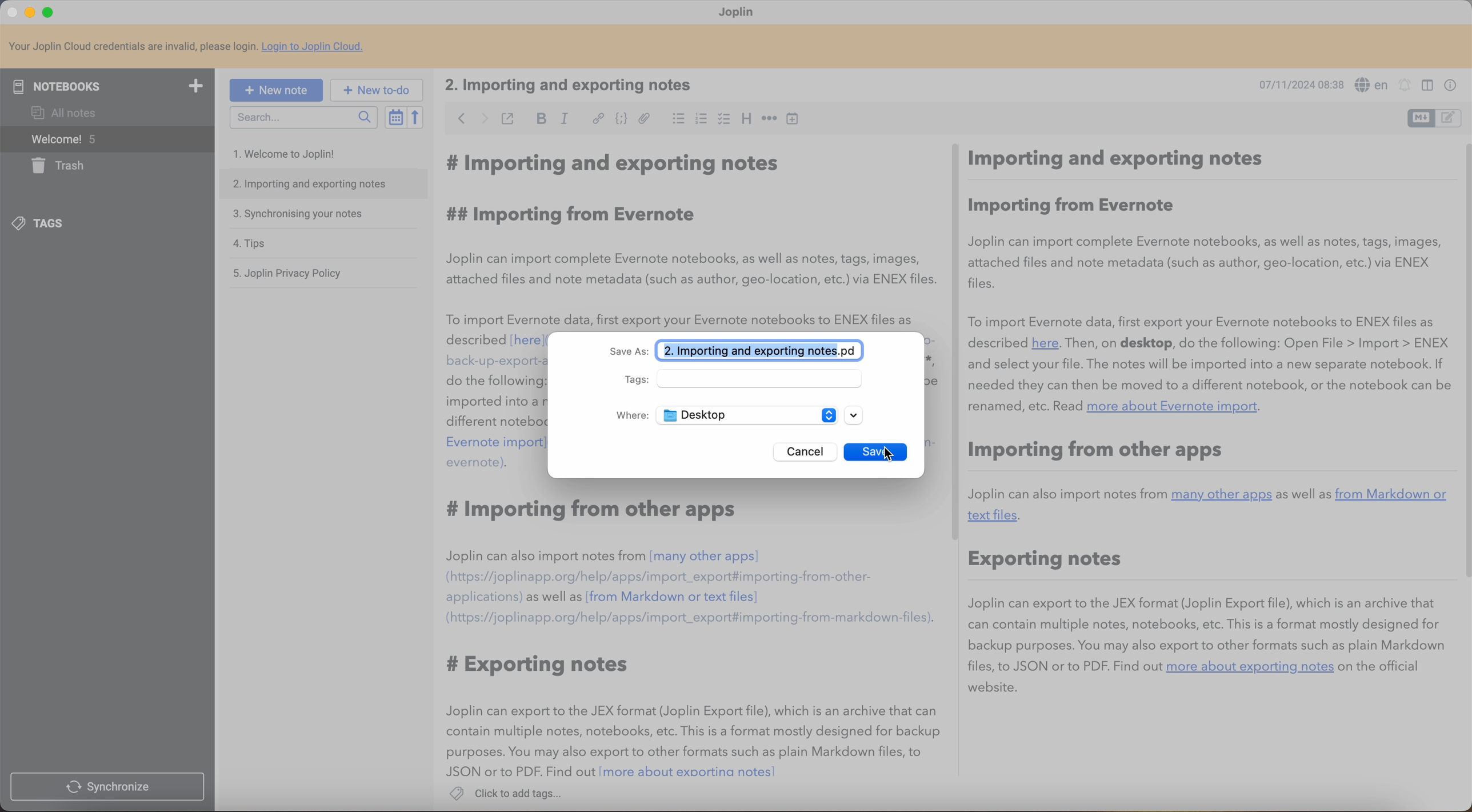 Image resolution: width=1472 pixels, height=812 pixels. I want to click on set alarm, so click(1407, 86).